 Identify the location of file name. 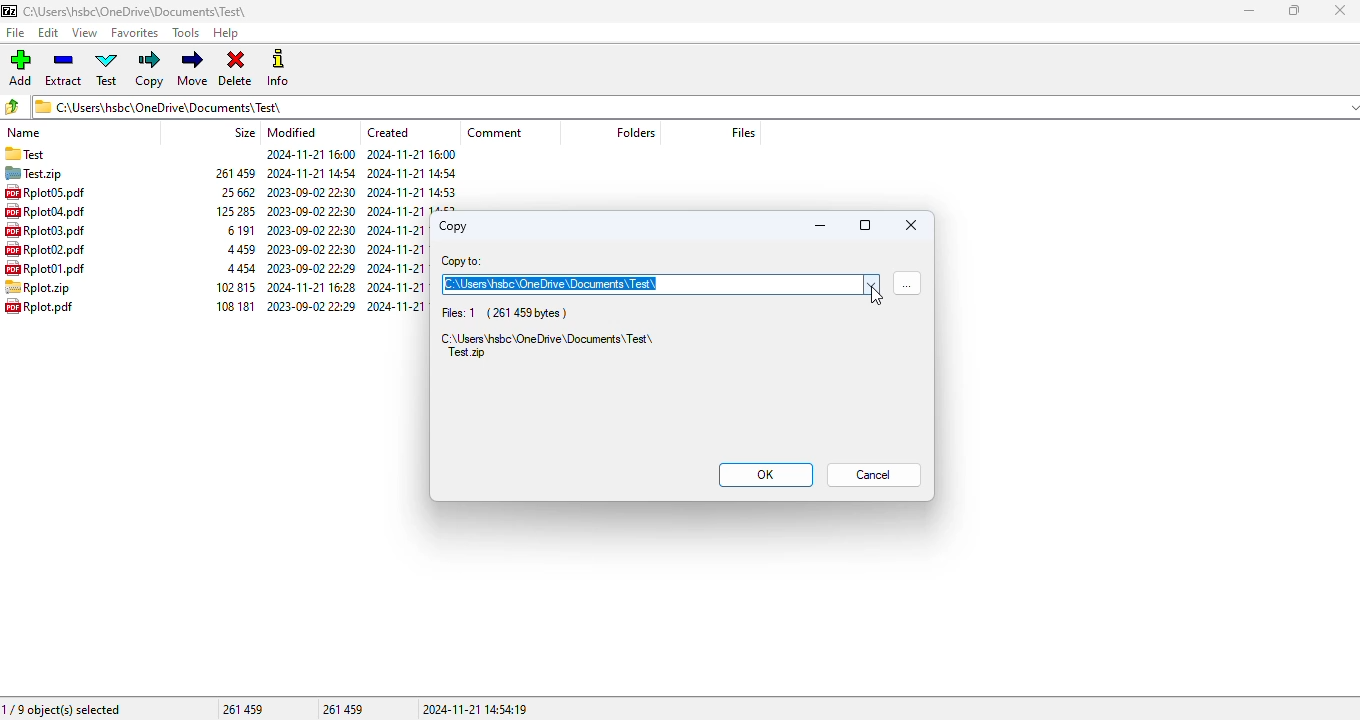
(44, 230).